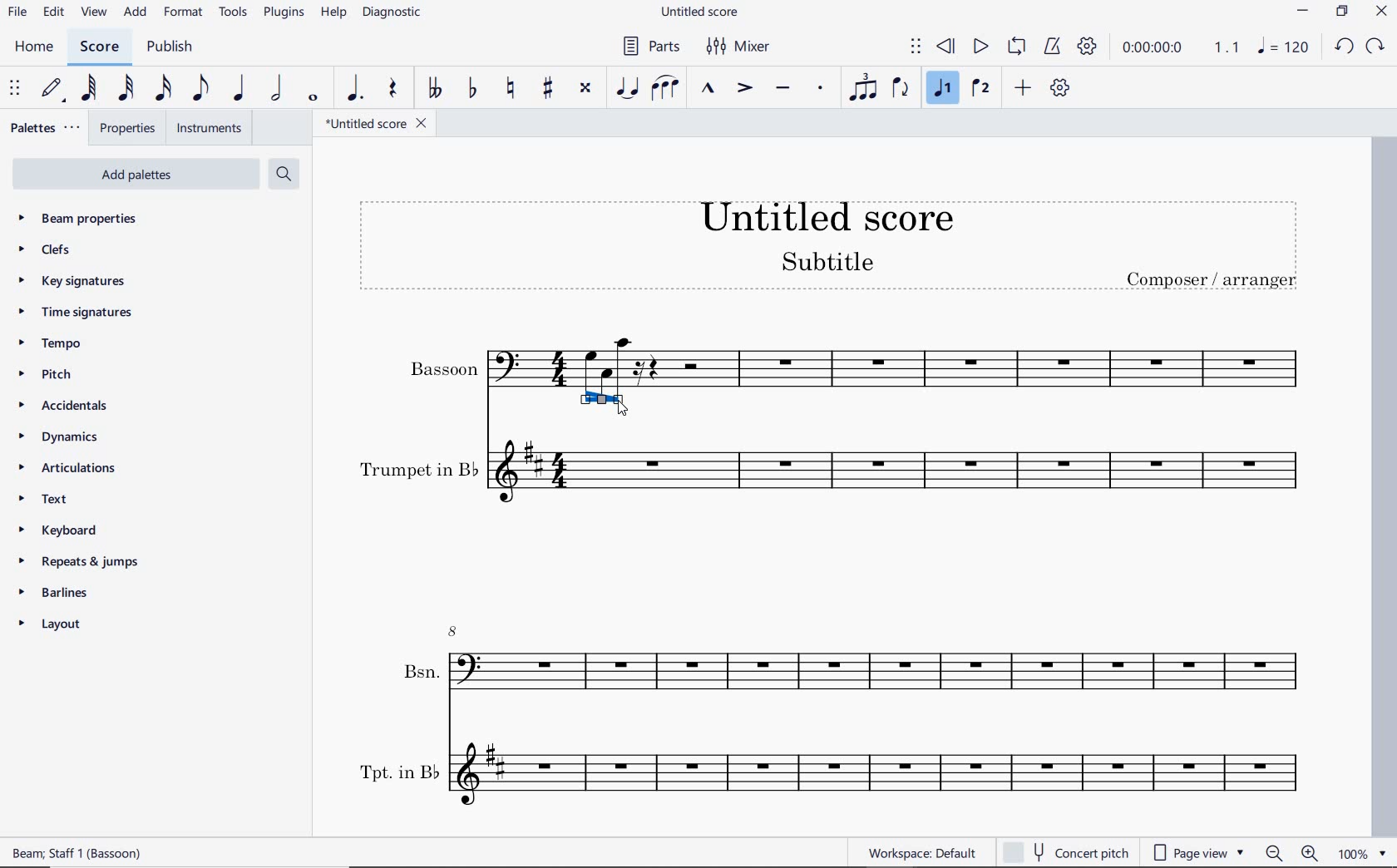  I want to click on search palettes, so click(285, 174).